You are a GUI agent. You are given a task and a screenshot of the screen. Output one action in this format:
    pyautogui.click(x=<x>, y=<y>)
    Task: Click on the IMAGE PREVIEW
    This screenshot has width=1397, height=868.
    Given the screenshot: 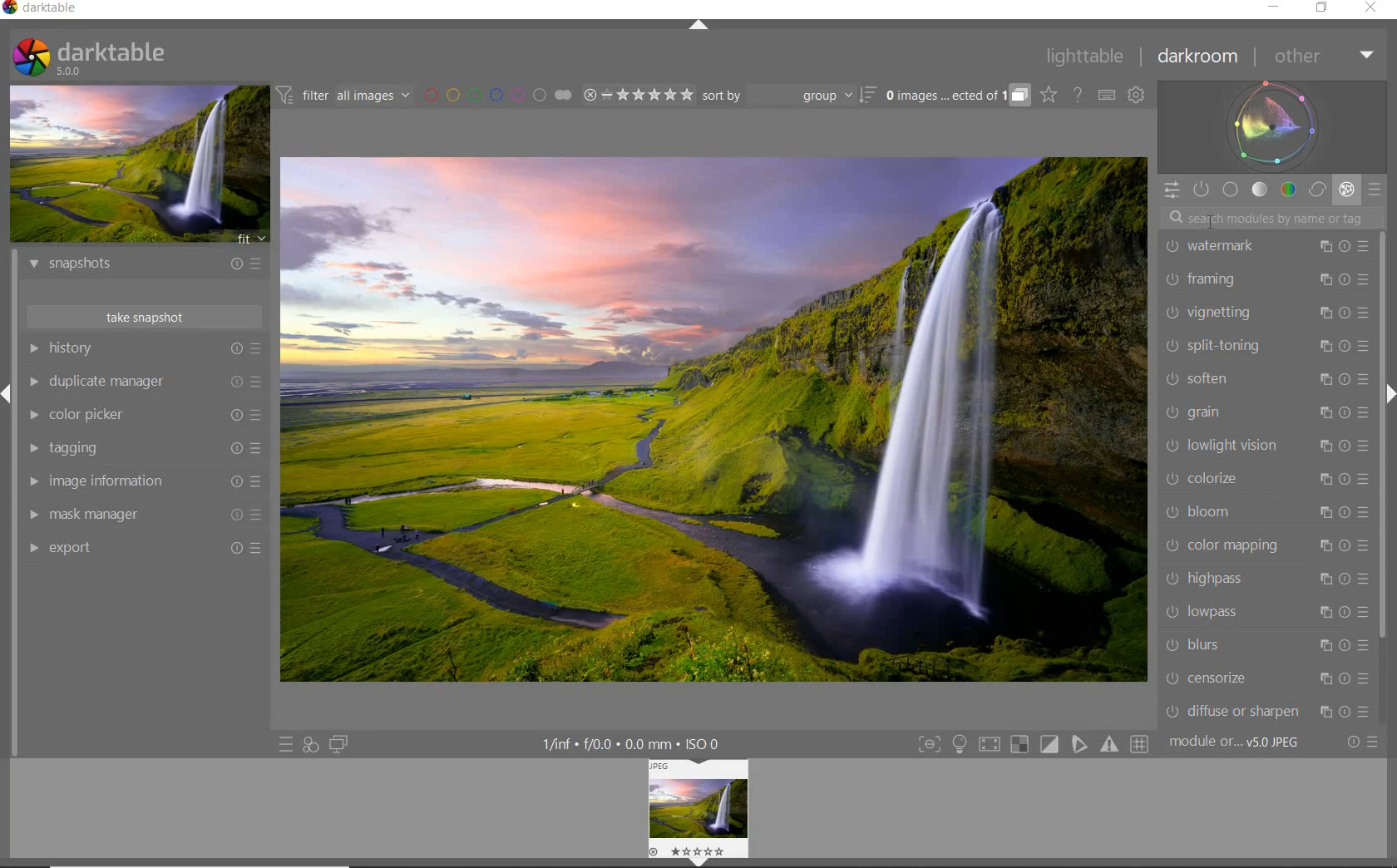 What is the action you would take?
    pyautogui.click(x=694, y=806)
    